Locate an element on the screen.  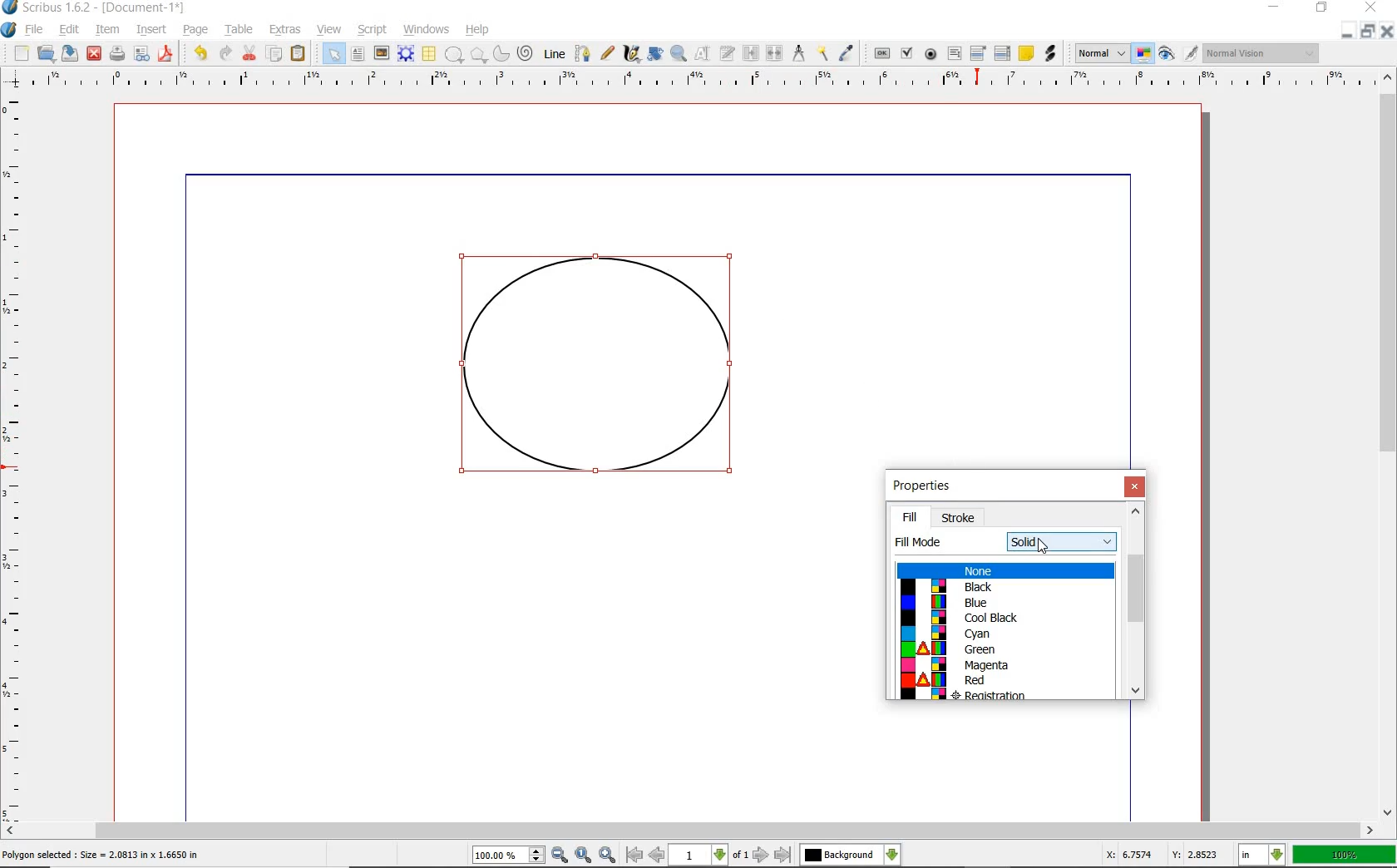
FREEHAND LINE is located at coordinates (608, 52).